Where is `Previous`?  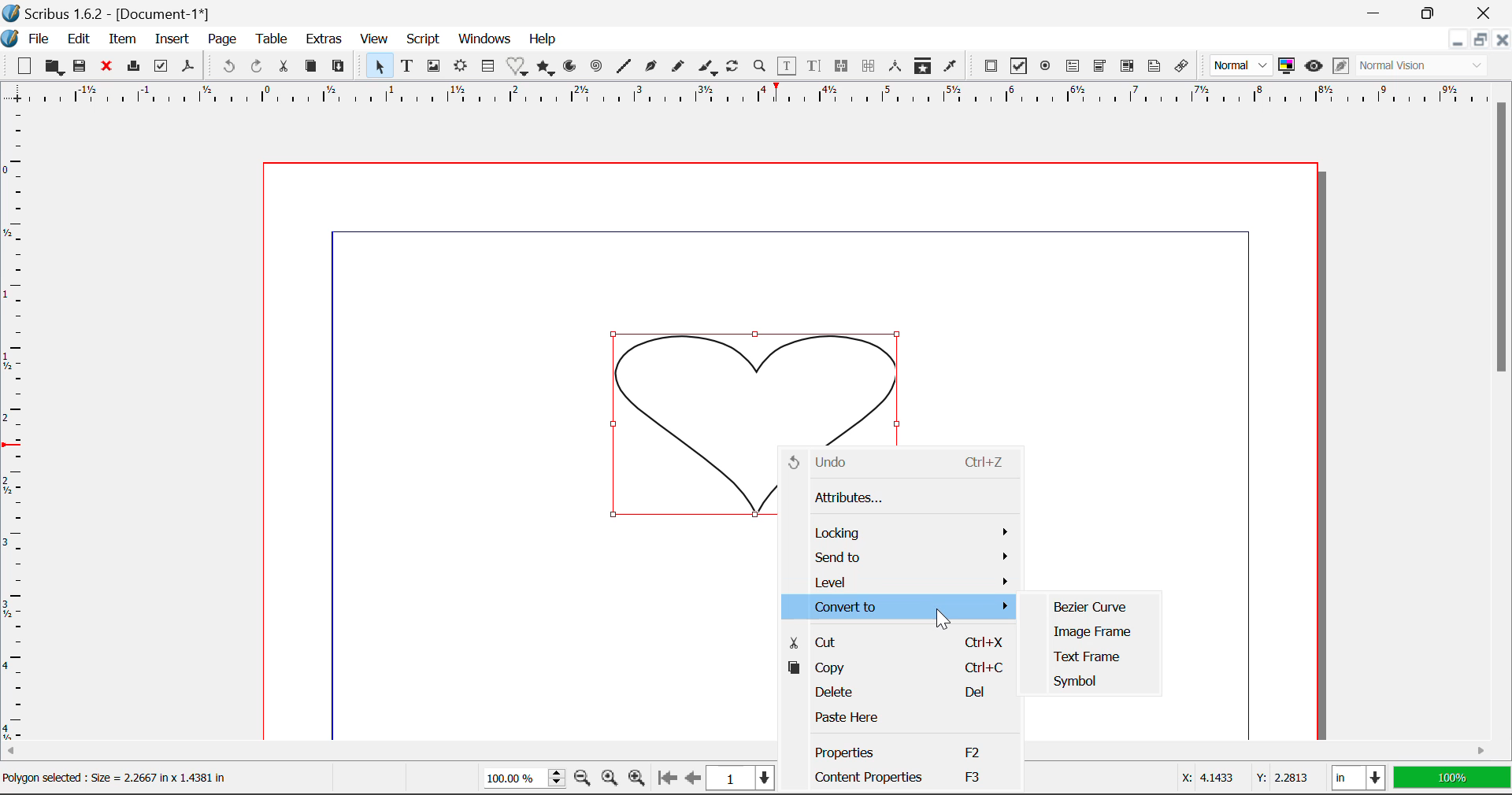 Previous is located at coordinates (694, 779).